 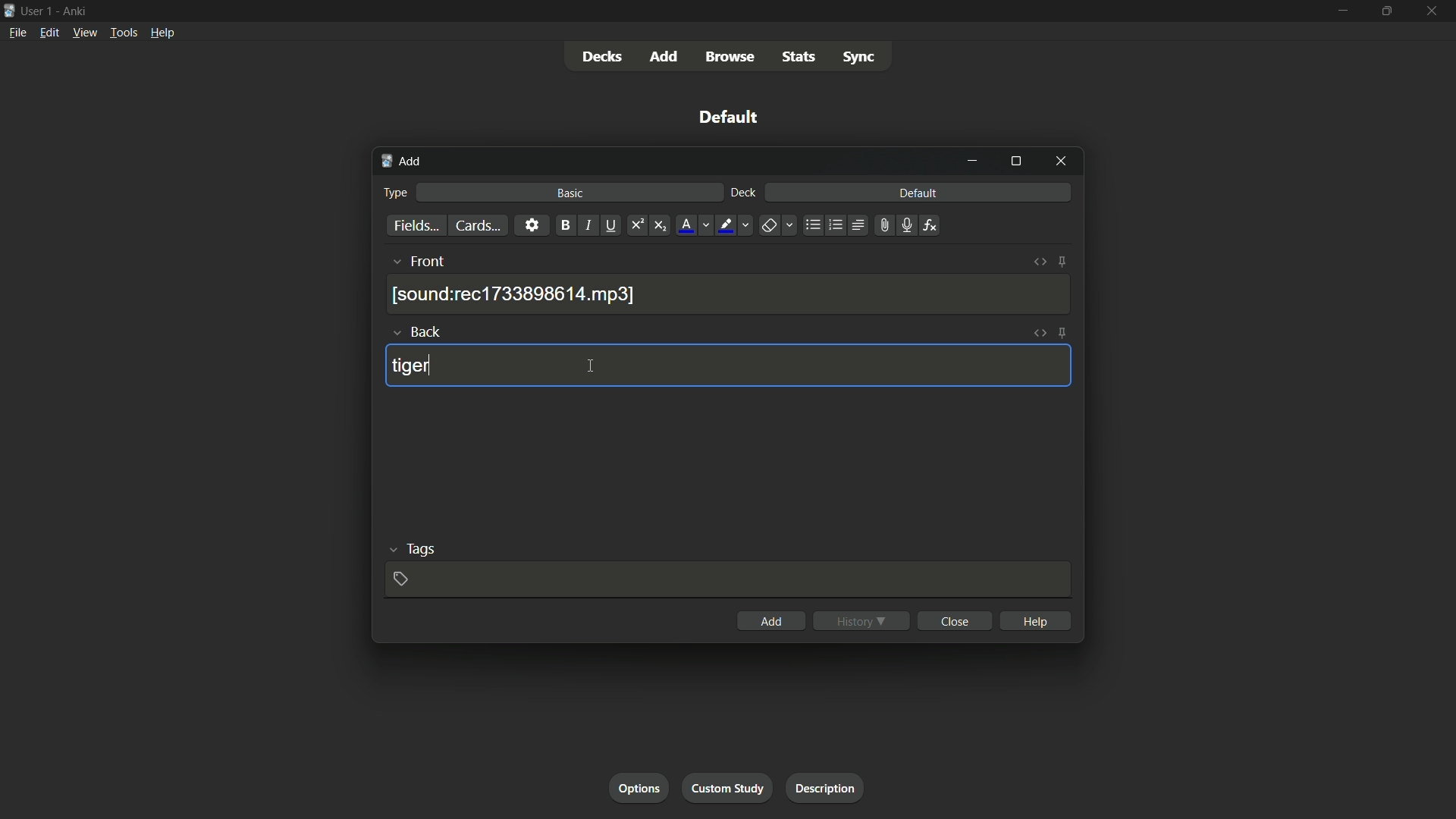 What do you see at coordinates (401, 578) in the screenshot?
I see `add tag` at bounding box center [401, 578].